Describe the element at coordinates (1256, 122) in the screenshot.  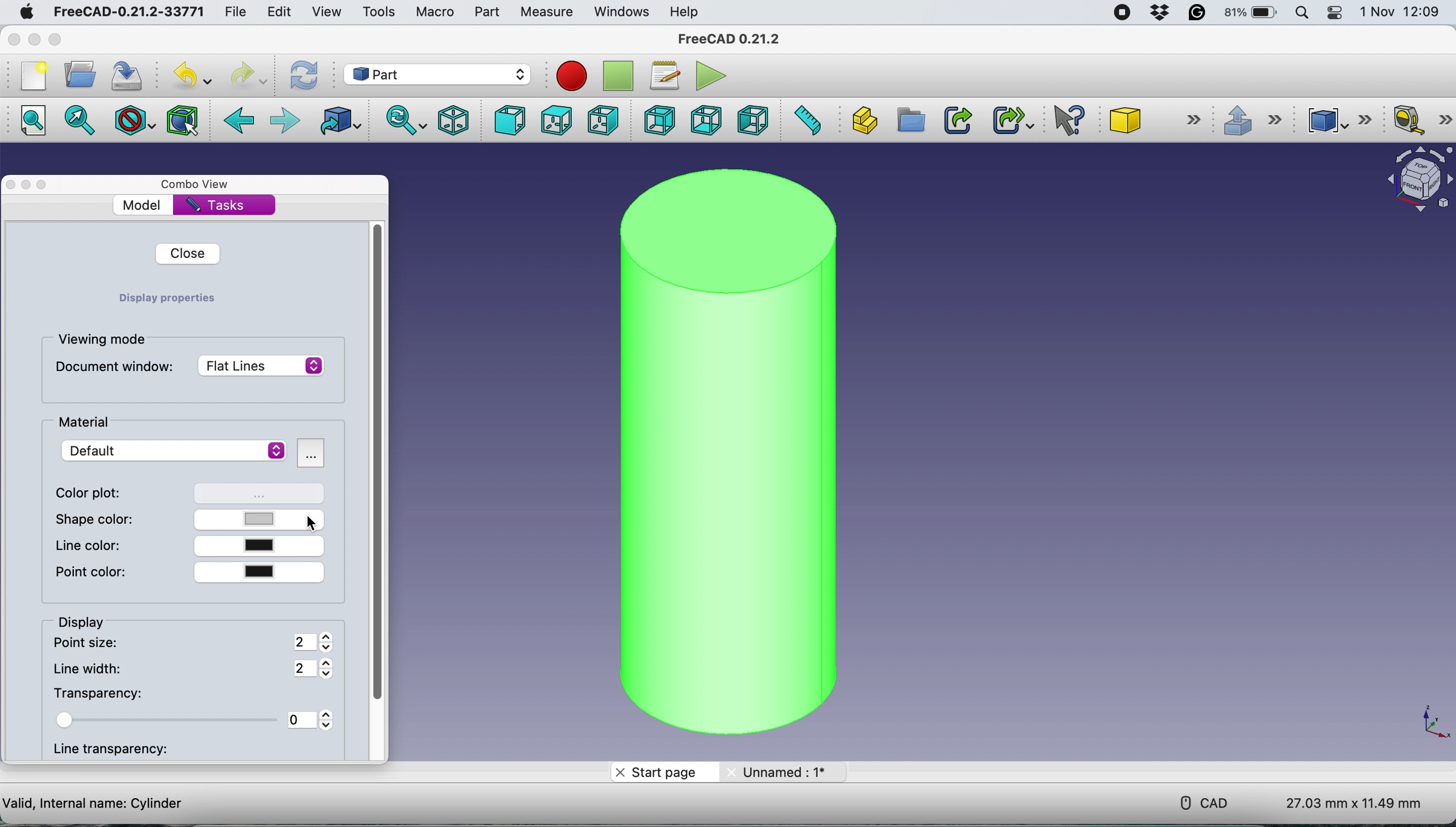
I see `extrusions` at that location.